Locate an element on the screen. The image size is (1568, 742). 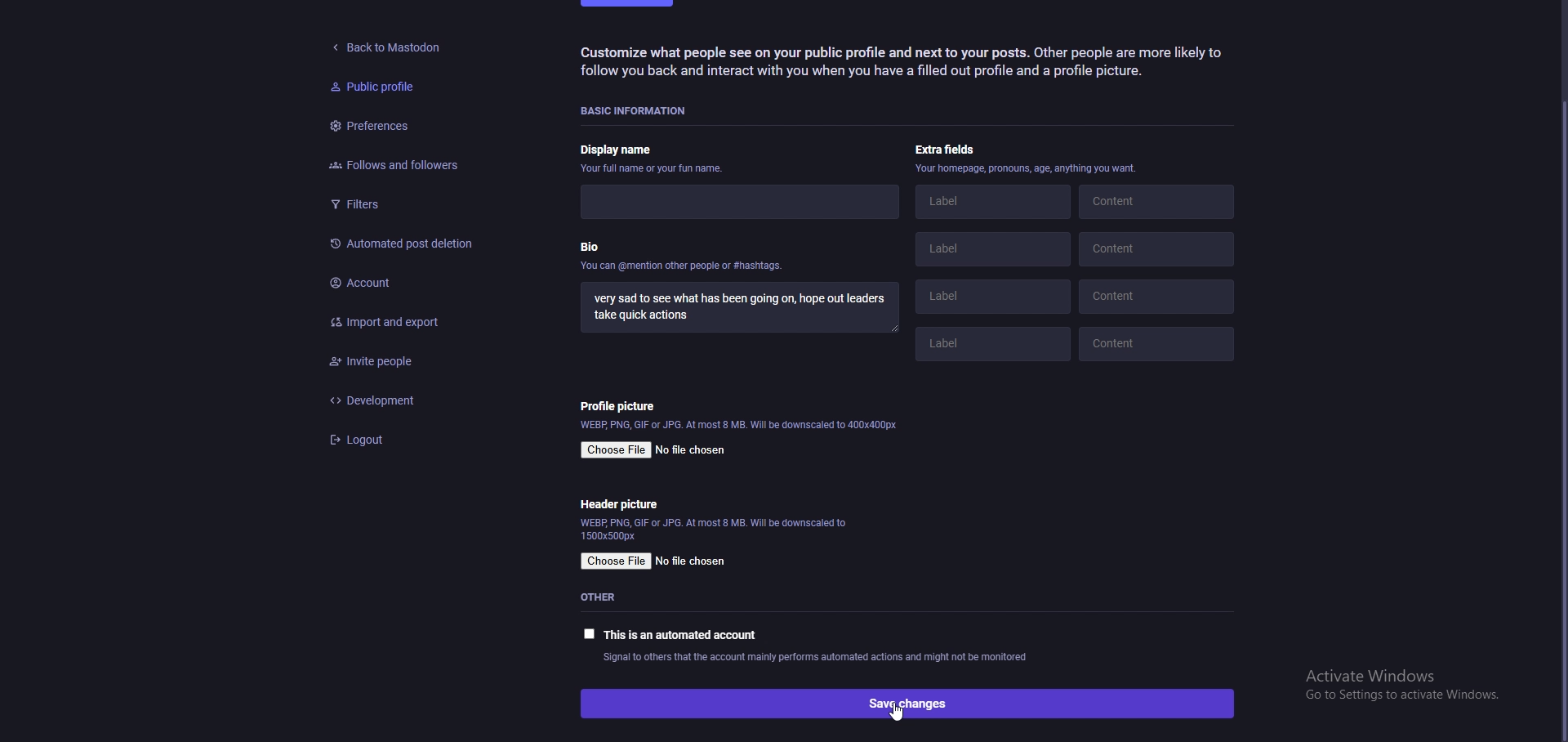
Import and export is located at coordinates (404, 318).